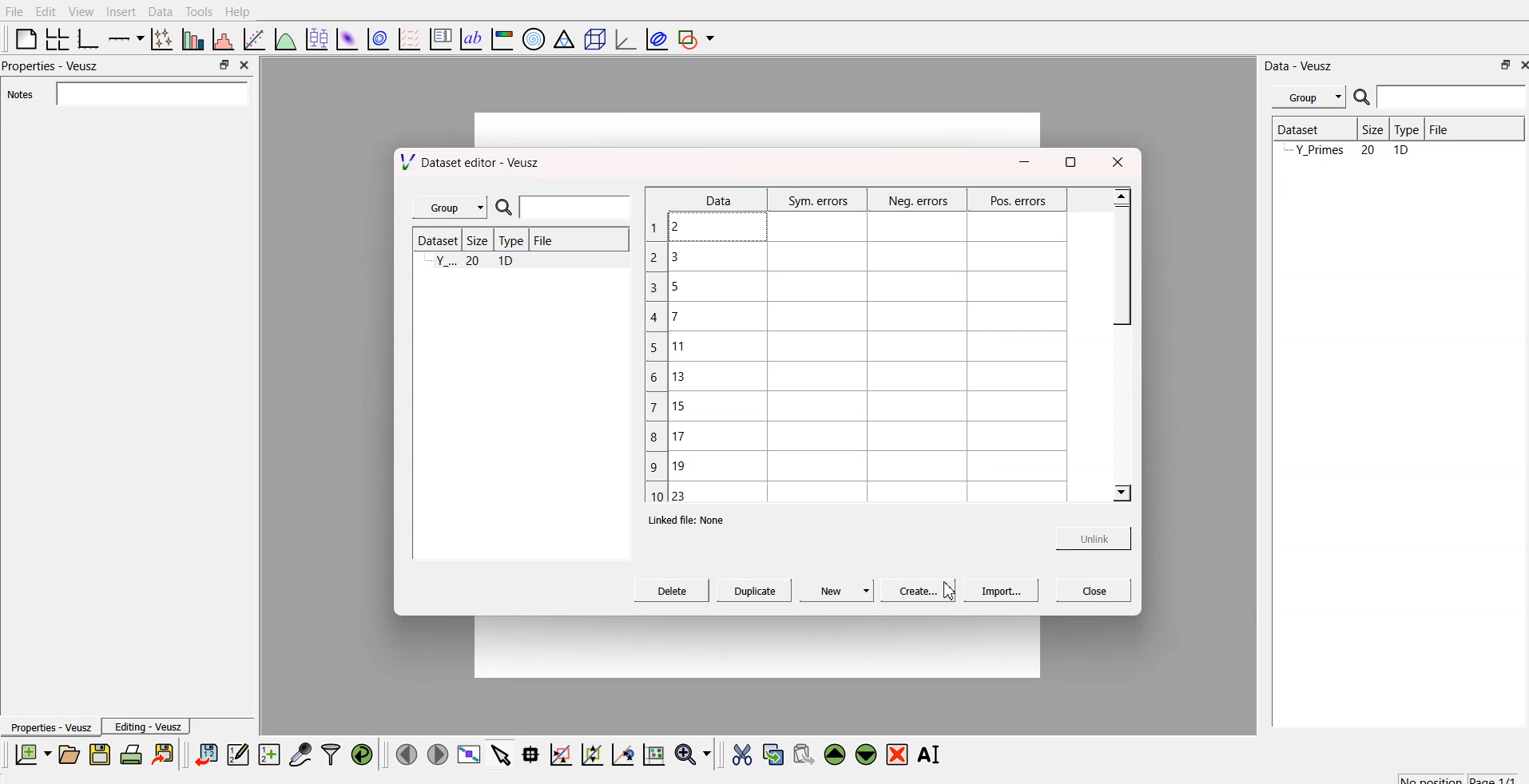 This screenshot has width=1529, height=784. I want to click on plot points, so click(158, 38).